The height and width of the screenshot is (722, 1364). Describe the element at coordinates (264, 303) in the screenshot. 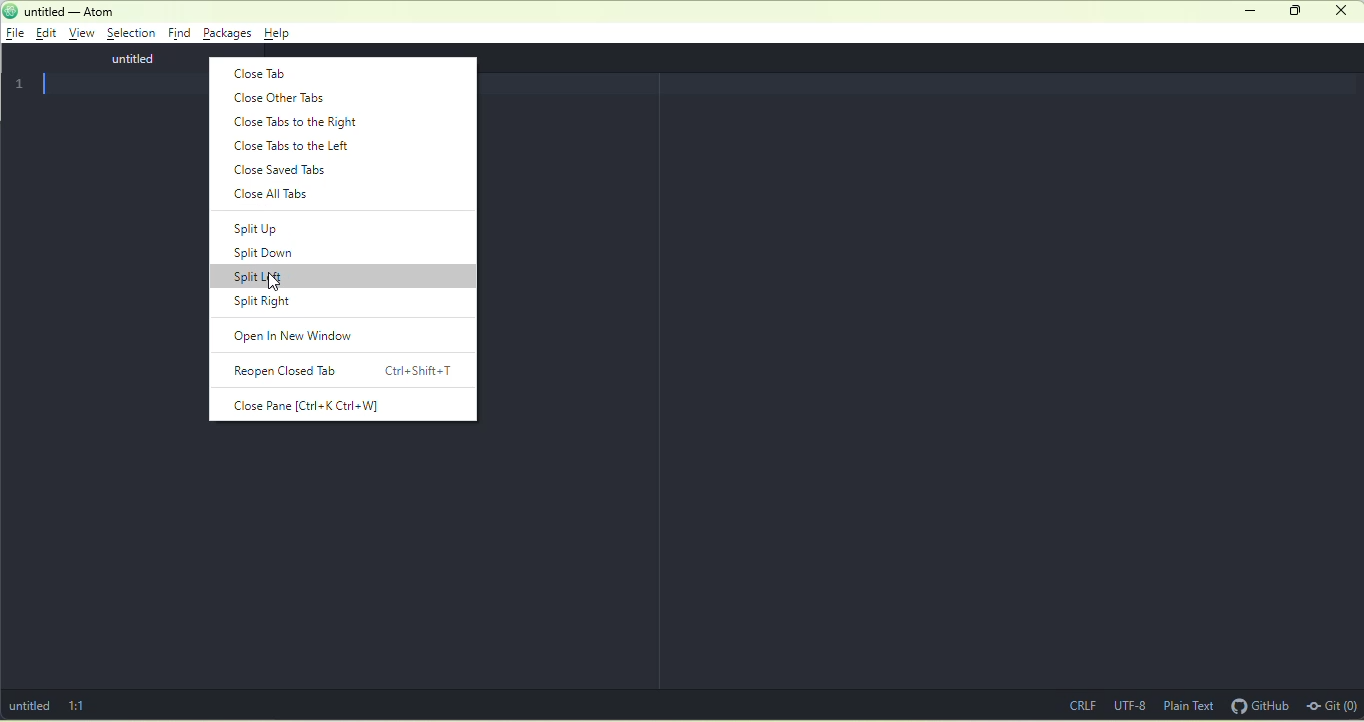

I see `split right` at that location.